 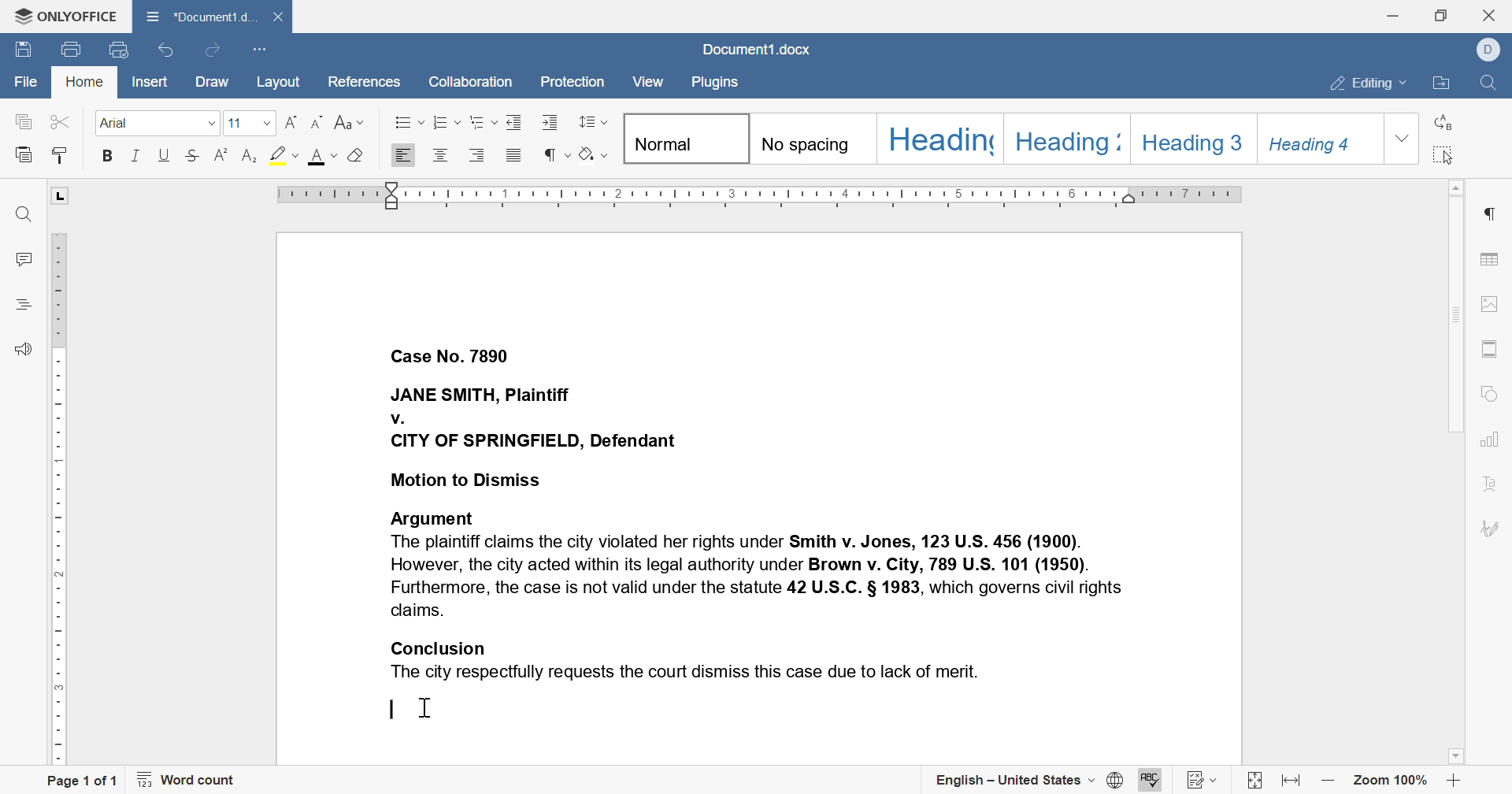 What do you see at coordinates (291, 124) in the screenshot?
I see `increment font size` at bounding box center [291, 124].